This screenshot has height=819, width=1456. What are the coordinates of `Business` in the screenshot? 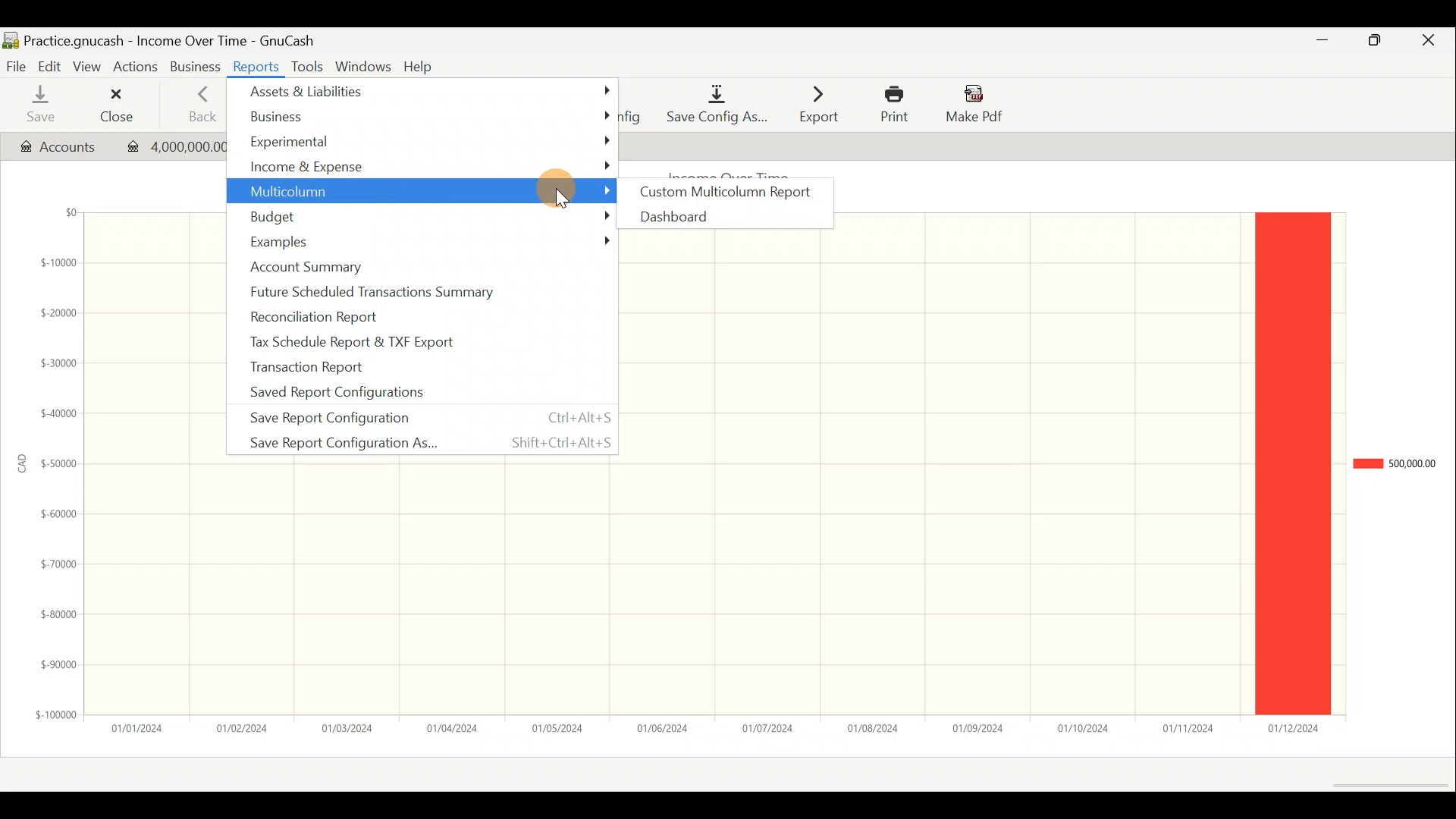 It's located at (197, 68).